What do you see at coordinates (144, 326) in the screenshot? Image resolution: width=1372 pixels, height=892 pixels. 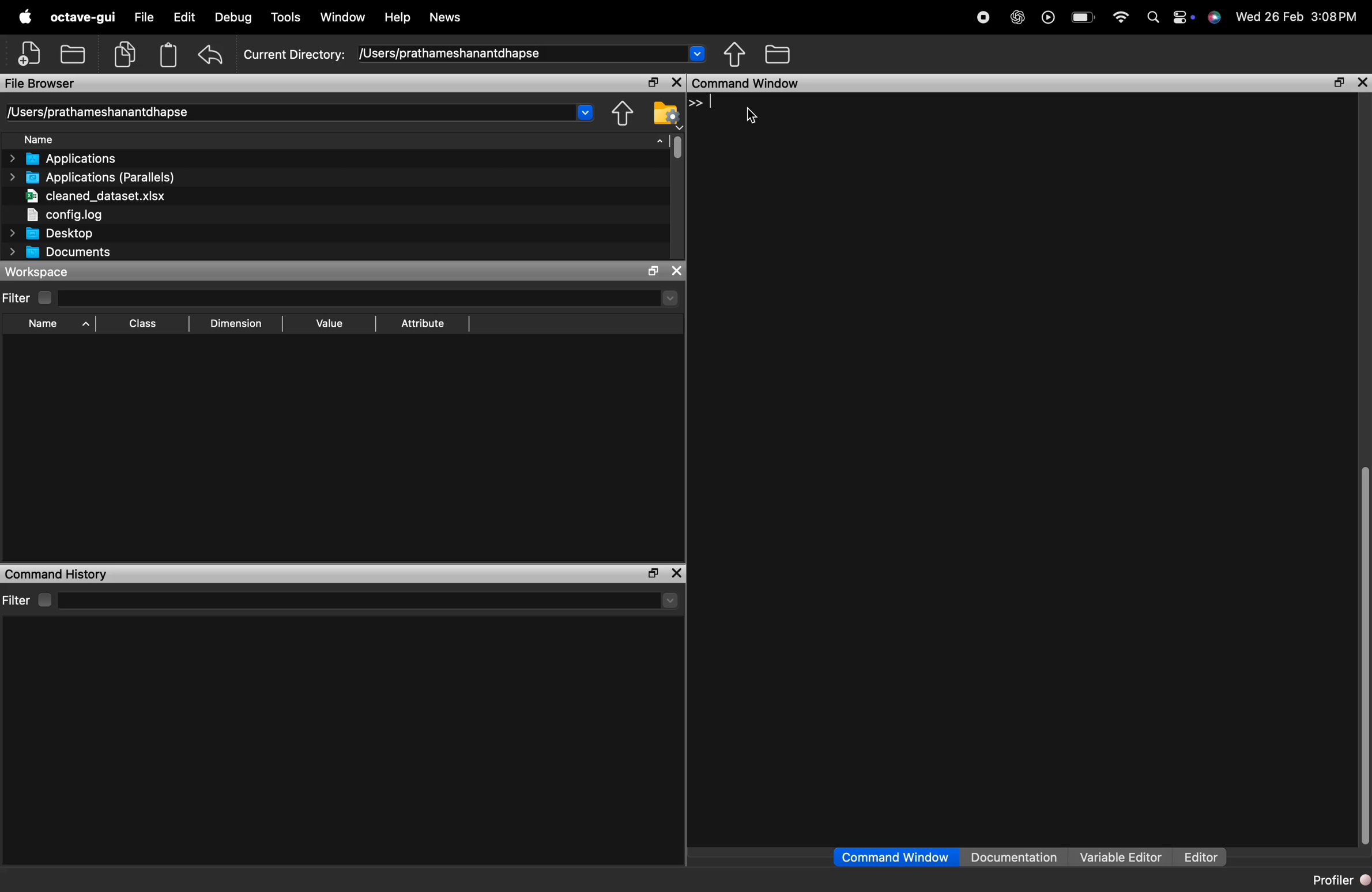 I see `Class` at bounding box center [144, 326].